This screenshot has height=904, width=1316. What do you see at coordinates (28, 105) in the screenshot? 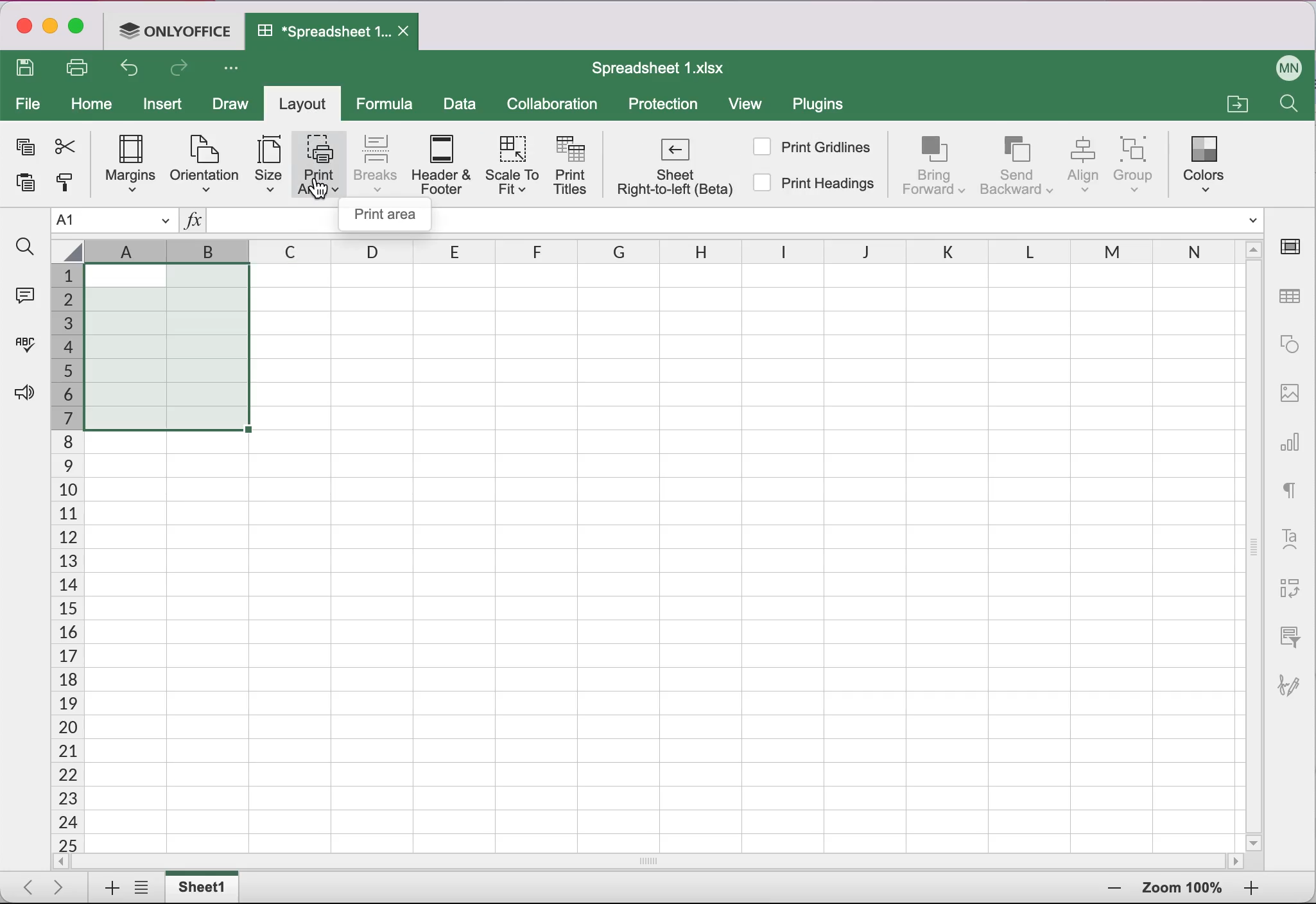
I see `file` at bounding box center [28, 105].